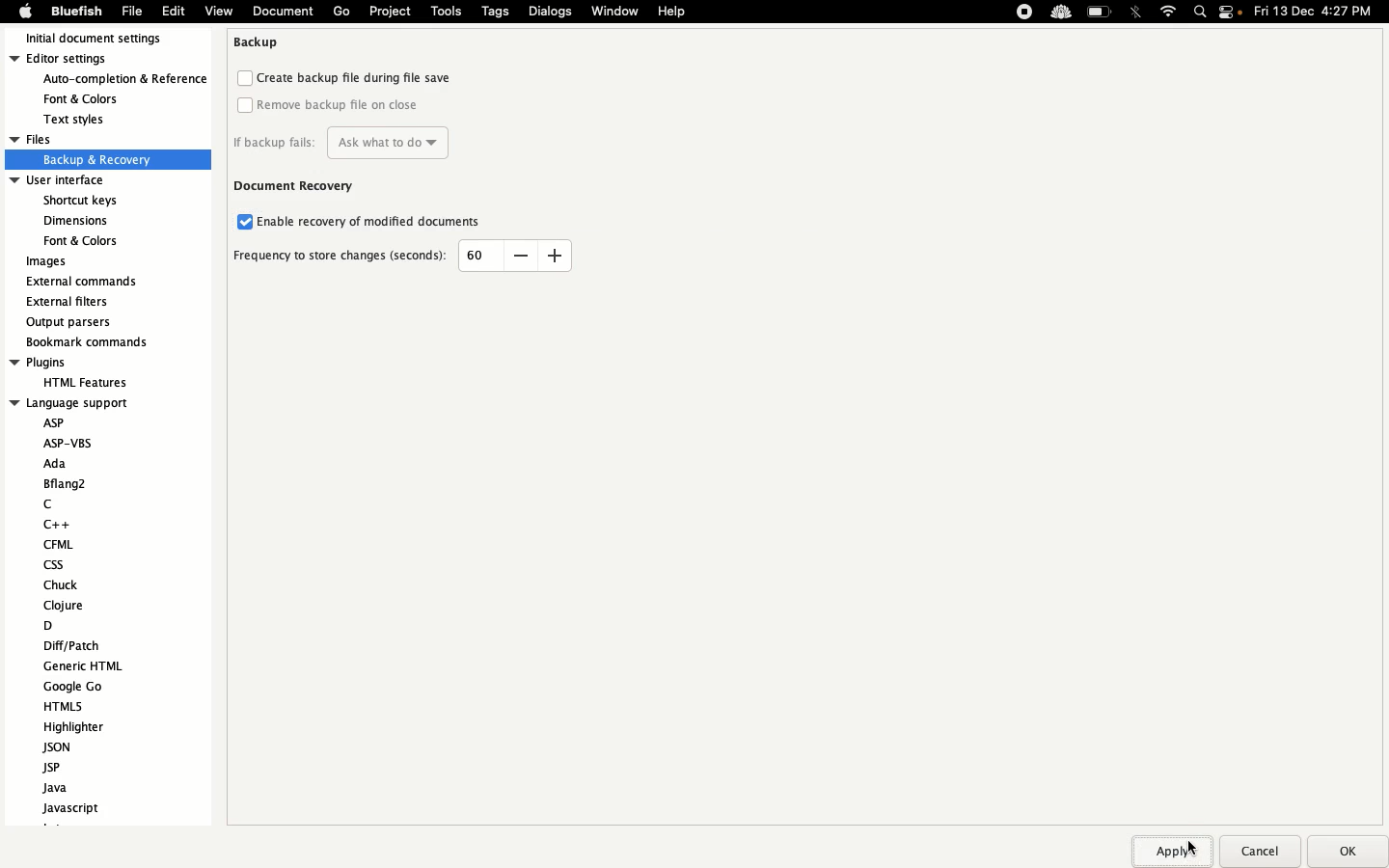 The image size is (1389, 868). What do you see at coordinates (341, 142) in the screenshot?
I see `If backup fails` at bounding box center [341, 142].